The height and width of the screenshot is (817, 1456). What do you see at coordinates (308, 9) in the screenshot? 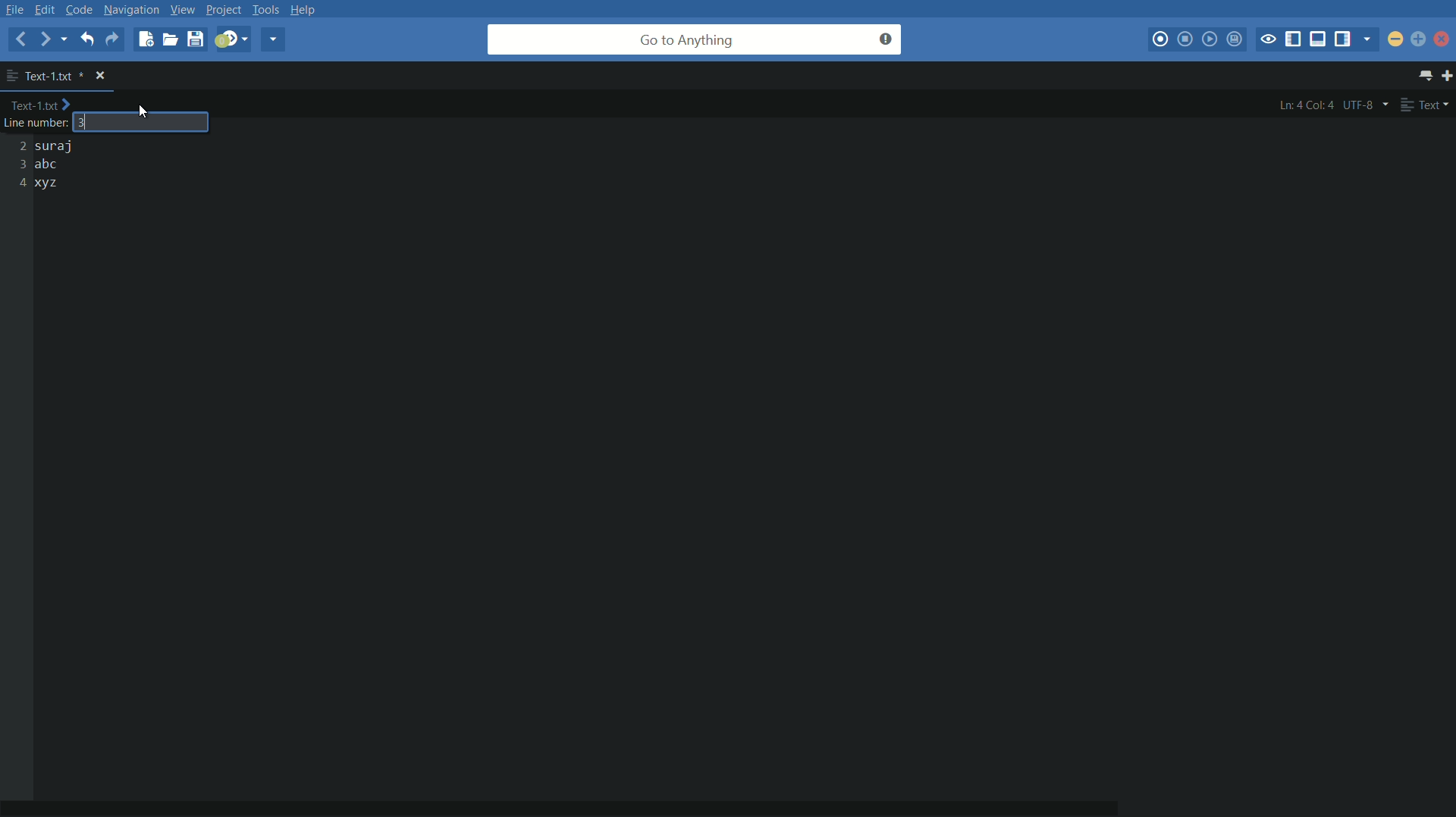
I see `help ` at bounding box center [308, 9].